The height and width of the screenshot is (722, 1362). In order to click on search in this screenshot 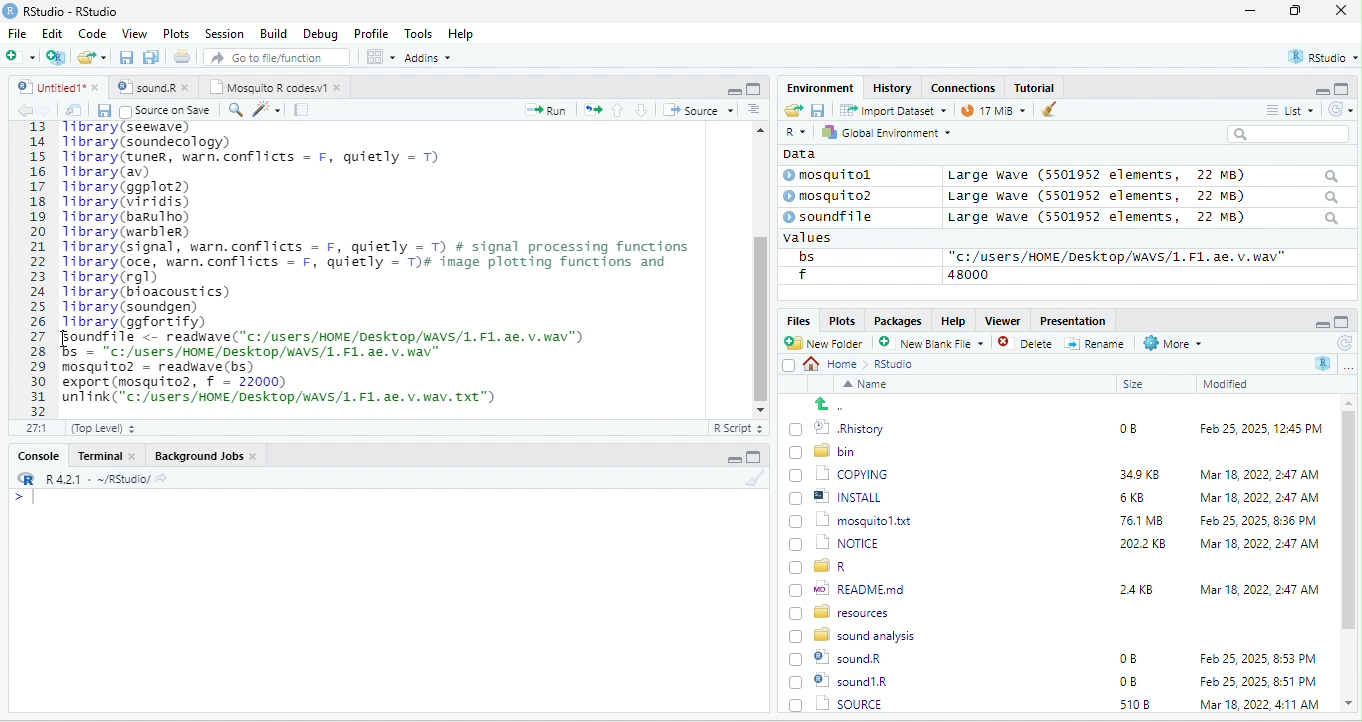, I will do `click(235, 108)`.